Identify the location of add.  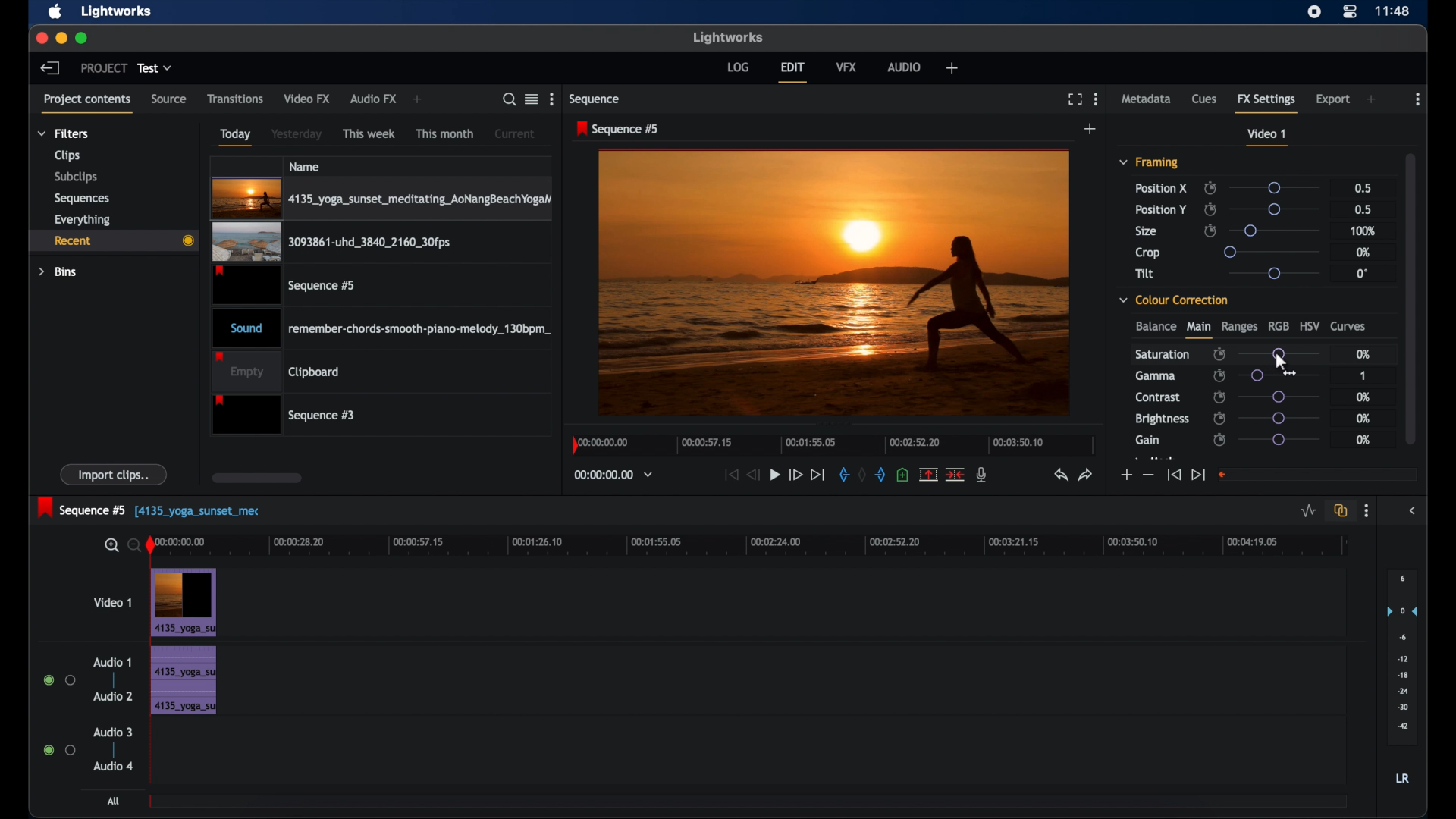
(419, 100).